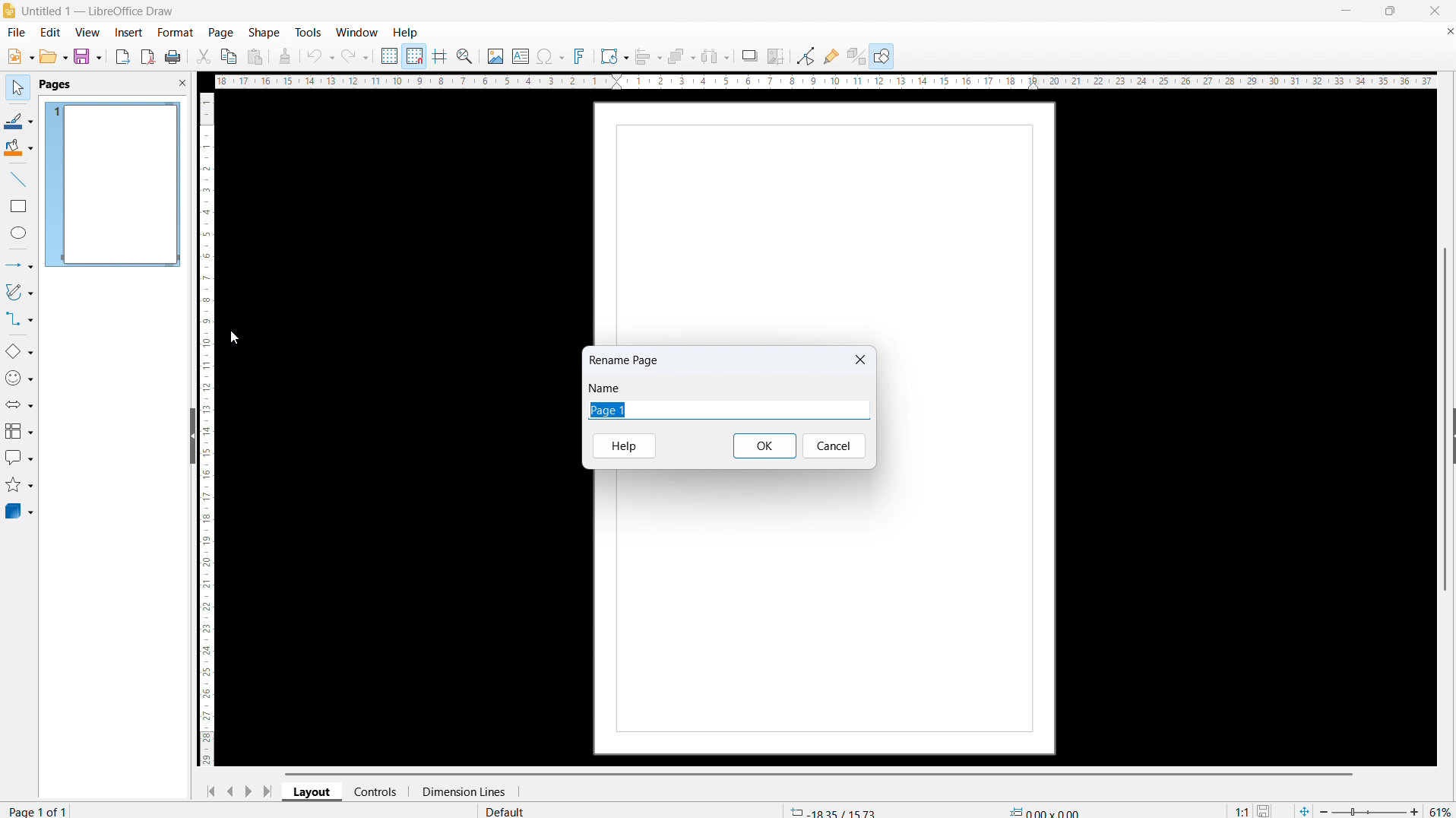  What do you see at coordinates (176, 33) in the screenshot?
I see `format` at bounding box center [176, 33].